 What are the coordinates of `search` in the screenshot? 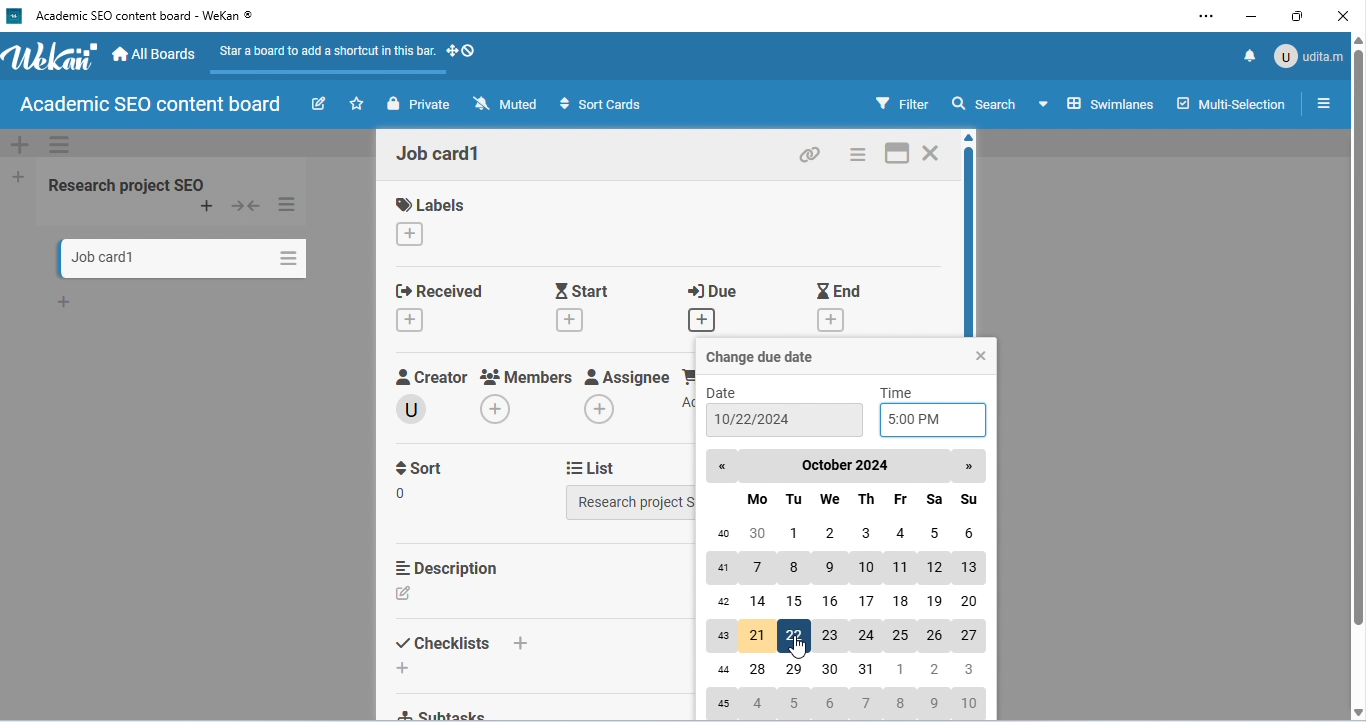 It's located at (984, 103).